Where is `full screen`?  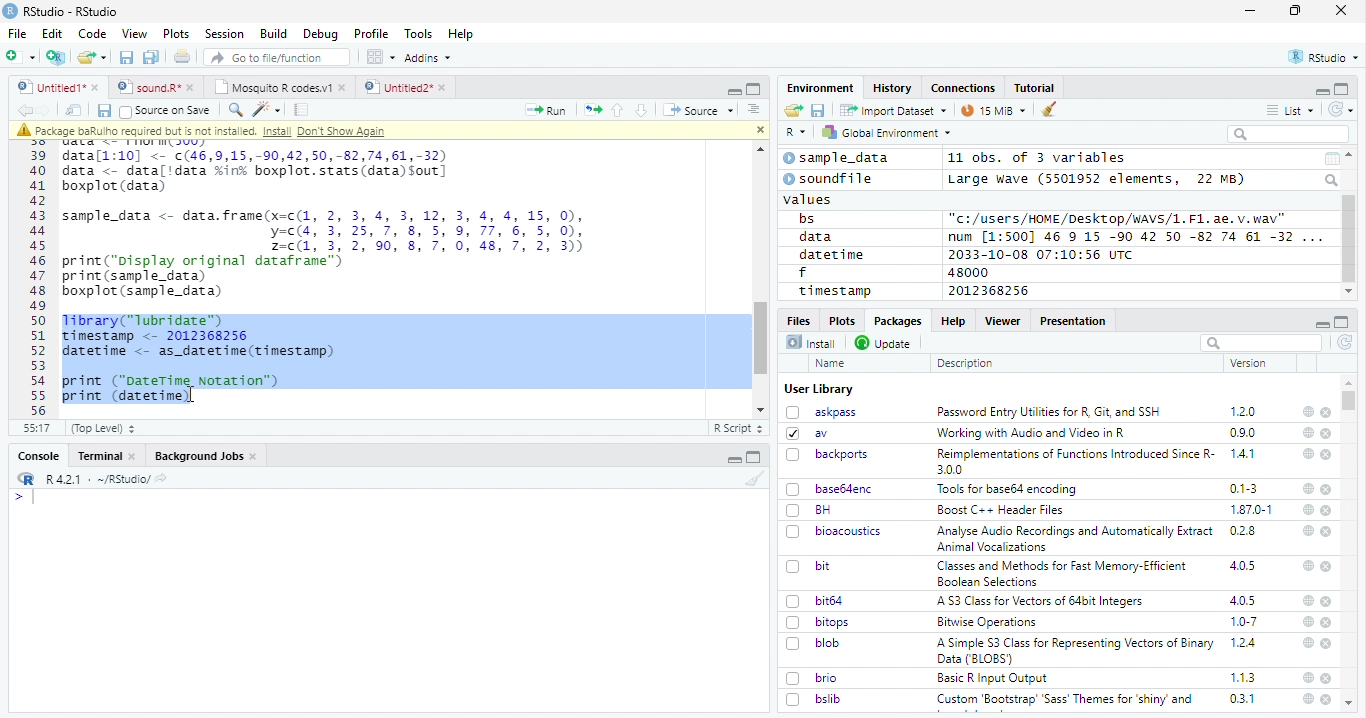
full screen is located at coordinates (1342, 89).